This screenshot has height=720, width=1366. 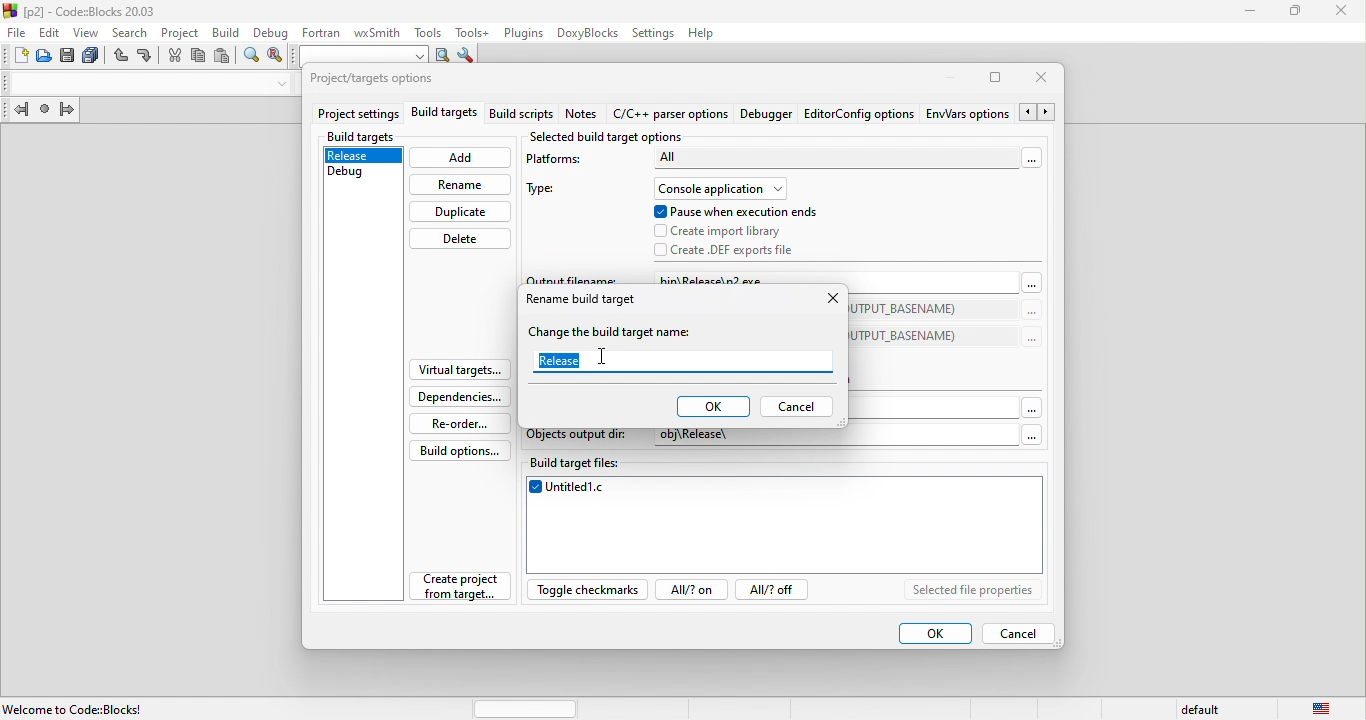 I want to click on close, so click(x=829, y=301).